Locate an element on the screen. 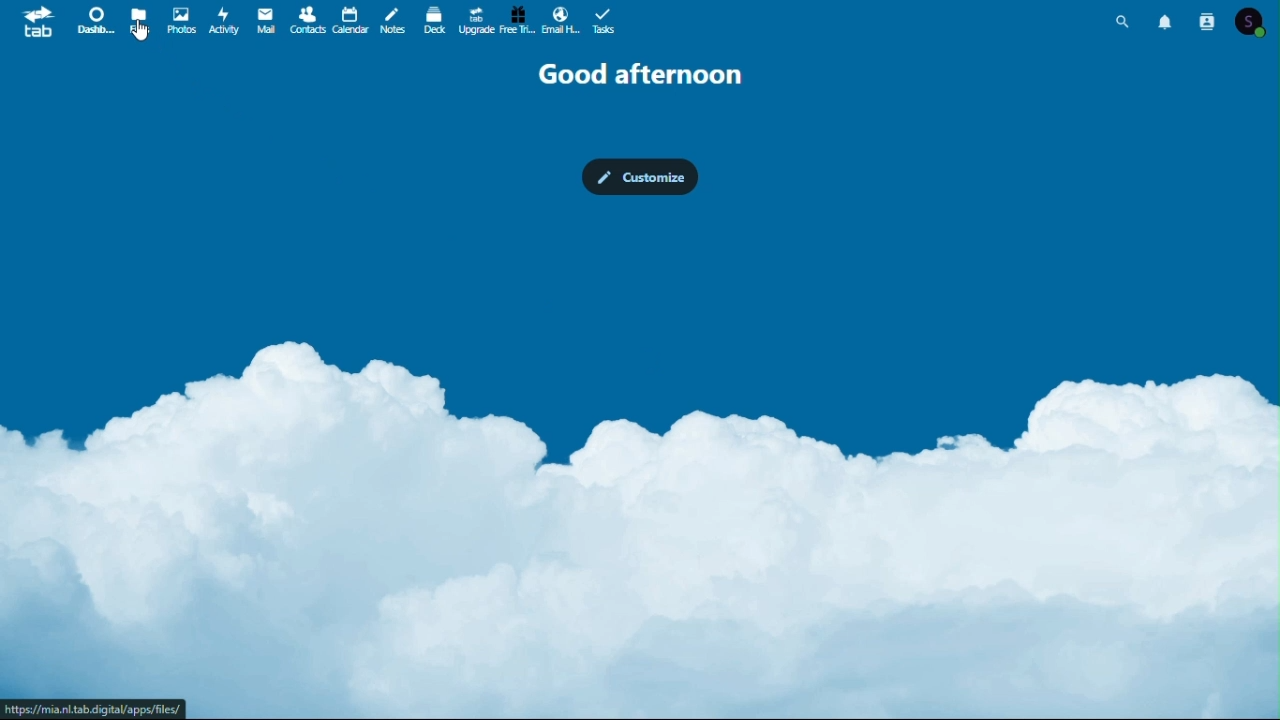 The width and height of the screenshot is (1280, 720). Calendar is located at coordinates (351, 20).